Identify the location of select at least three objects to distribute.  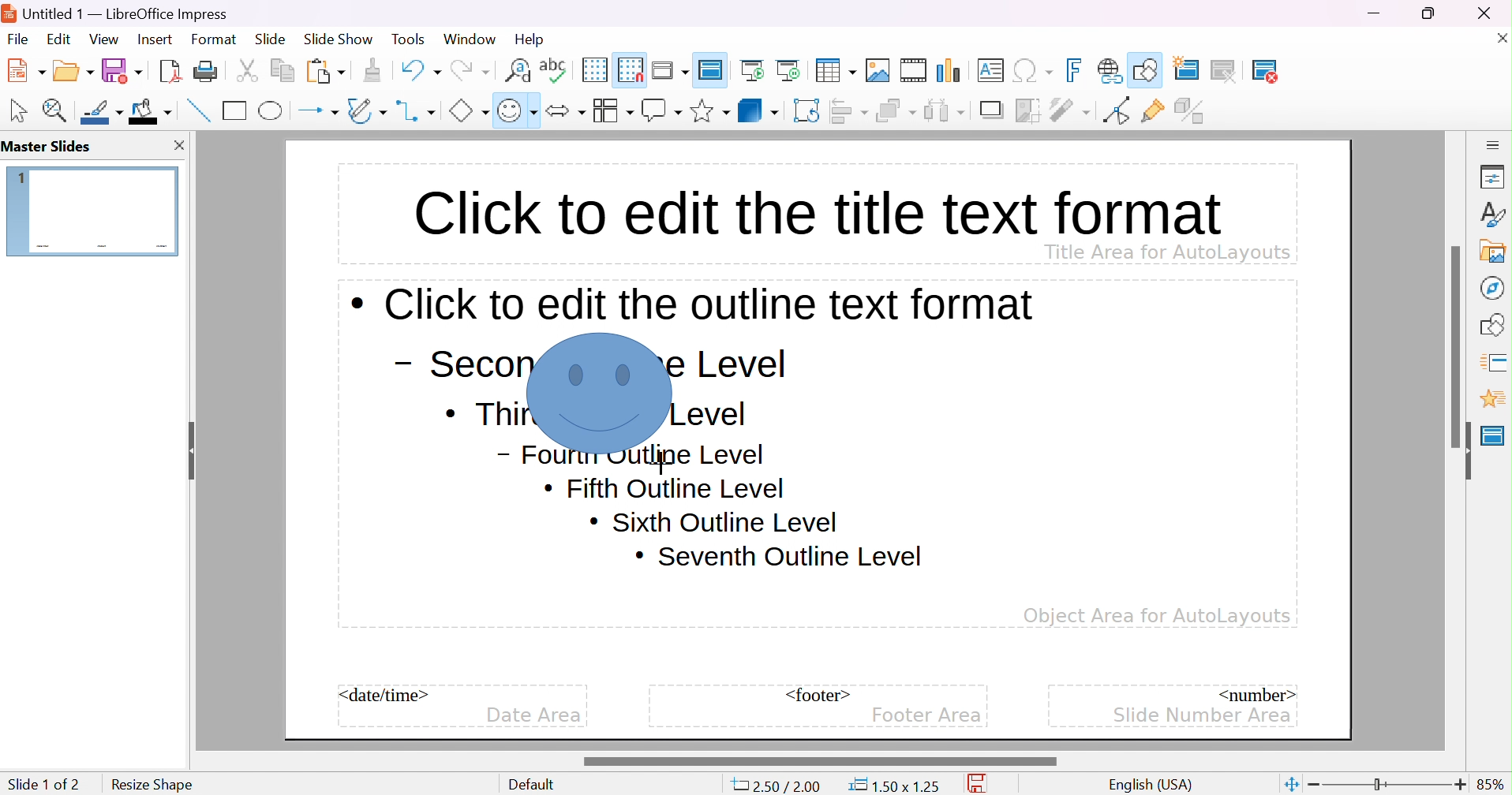
(945, 110).